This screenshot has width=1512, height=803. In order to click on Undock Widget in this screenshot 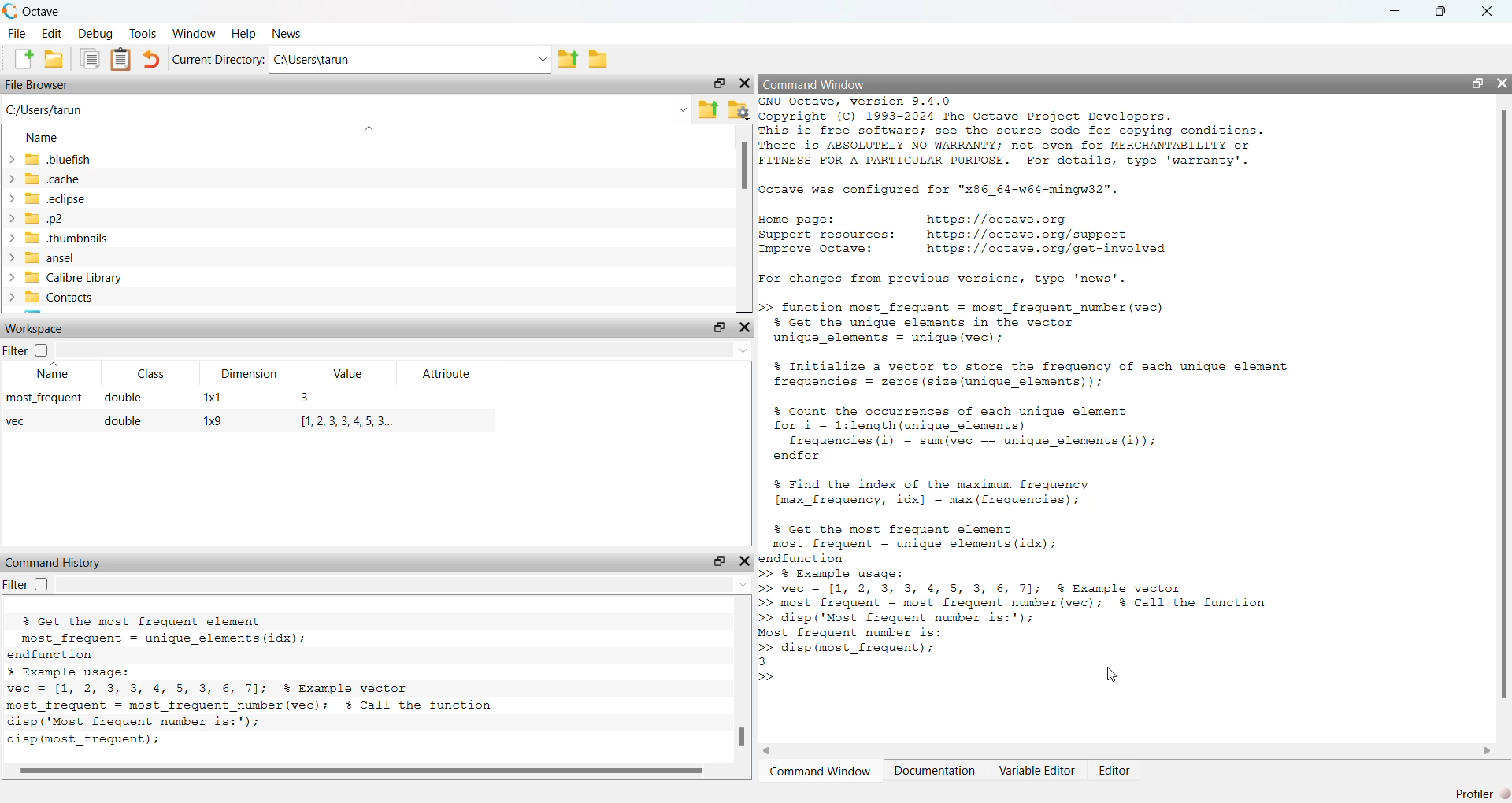, I will do `click(719, 562)`.